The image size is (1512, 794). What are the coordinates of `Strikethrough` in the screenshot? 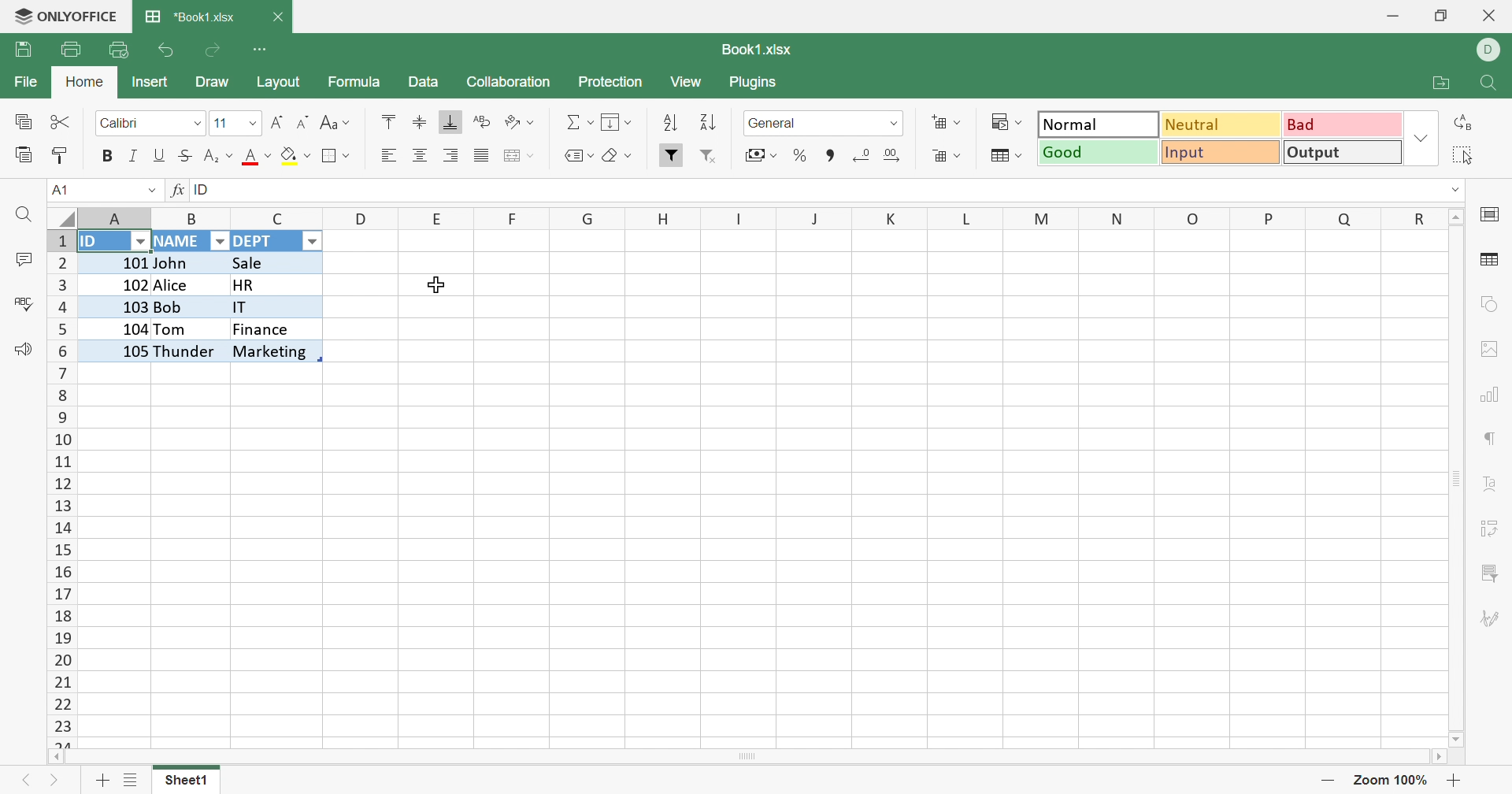 It's located at (187, 156).